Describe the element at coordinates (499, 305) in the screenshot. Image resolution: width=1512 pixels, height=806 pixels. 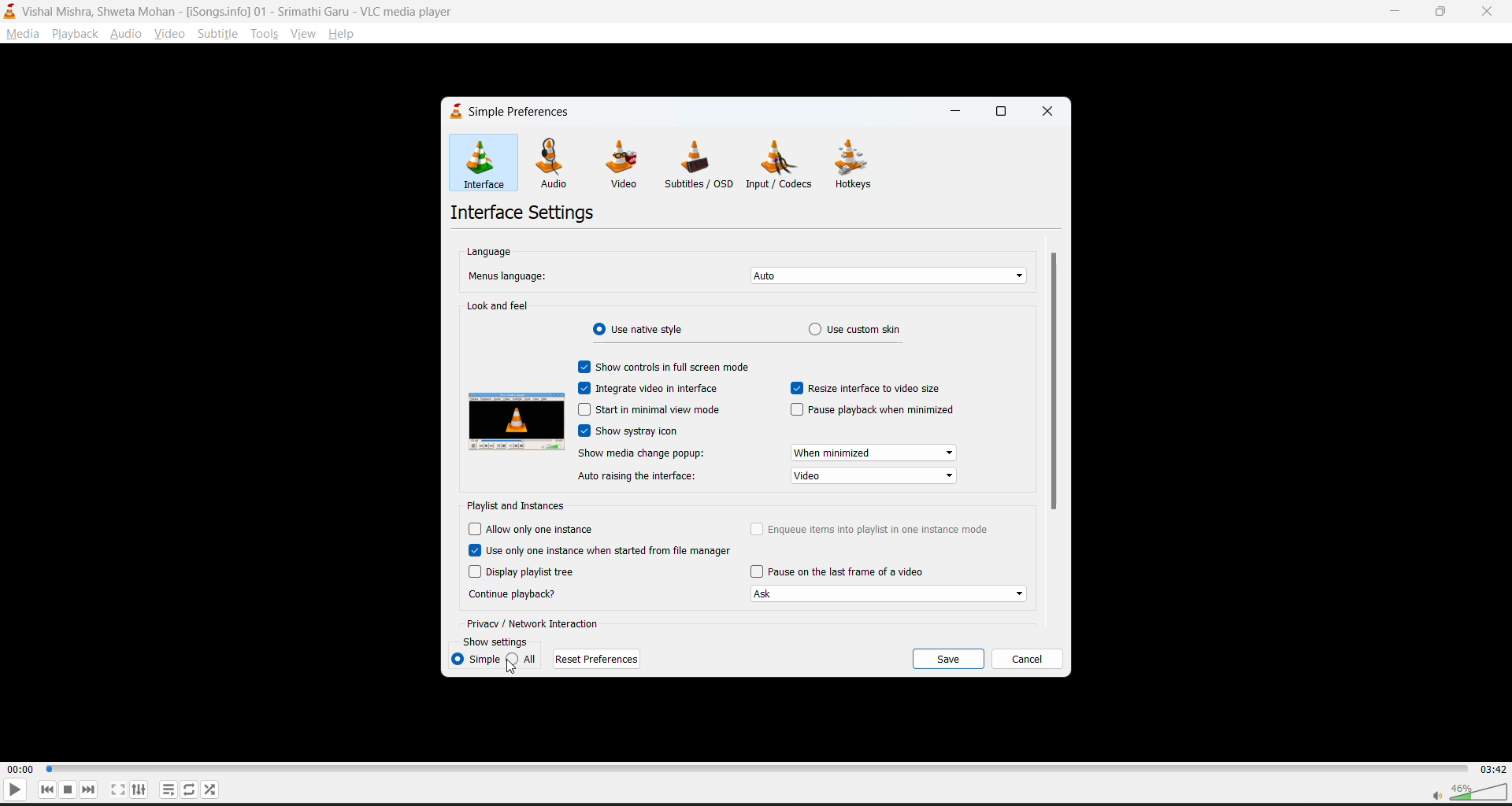
I see `look and feel` at that location.